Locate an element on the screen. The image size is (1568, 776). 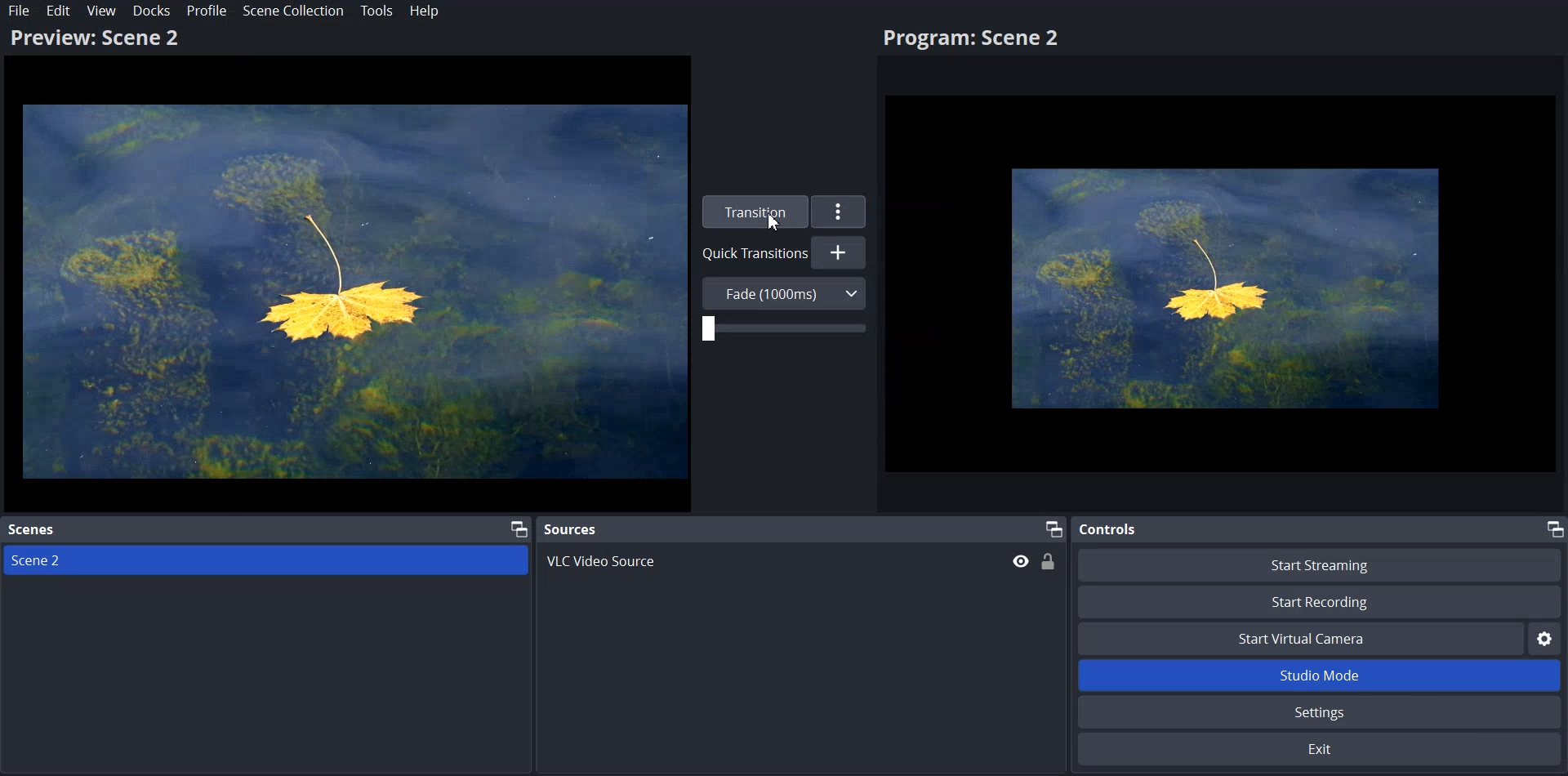
Tools is located at coordinates (376, 11).